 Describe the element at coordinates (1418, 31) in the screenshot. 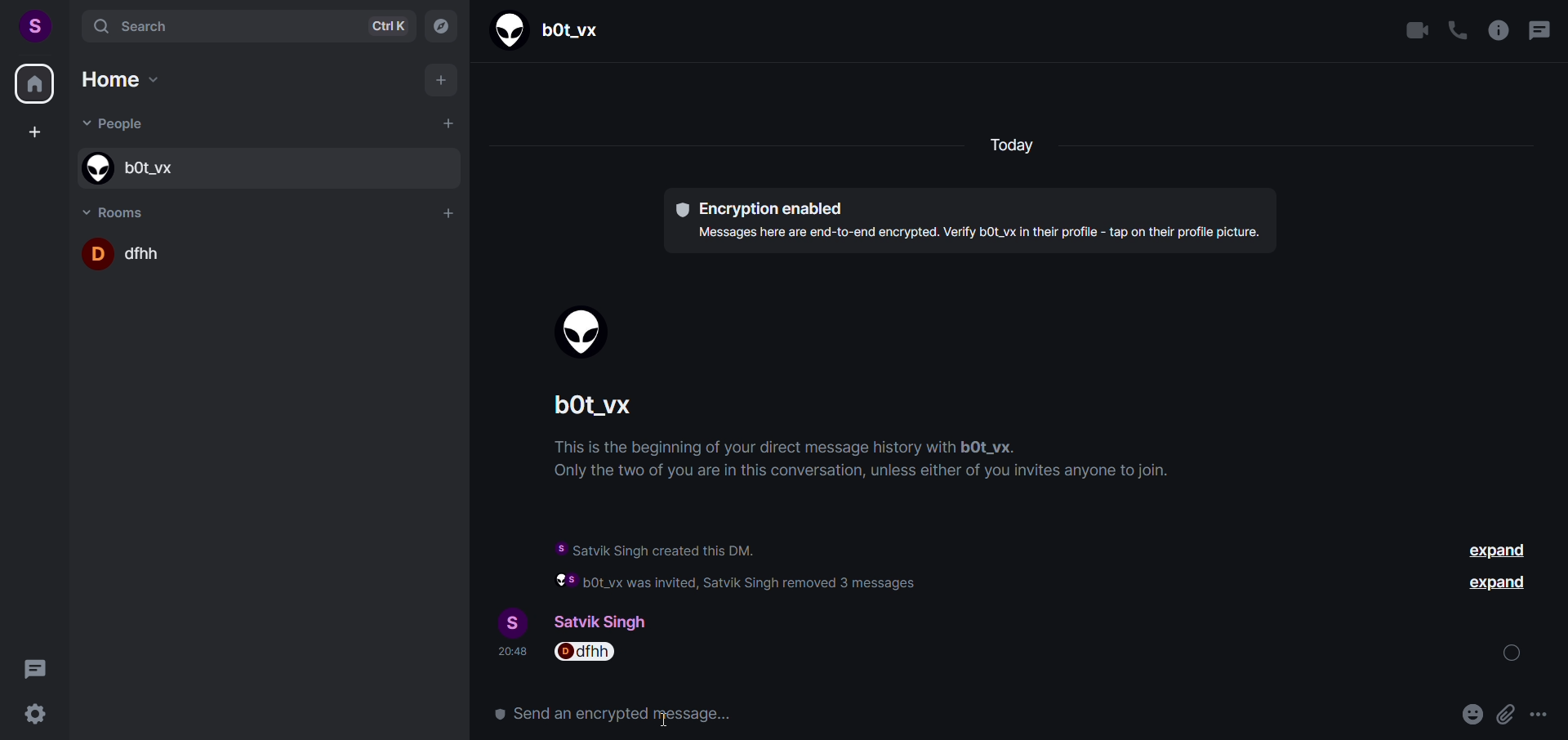

I see `video call` at that location.